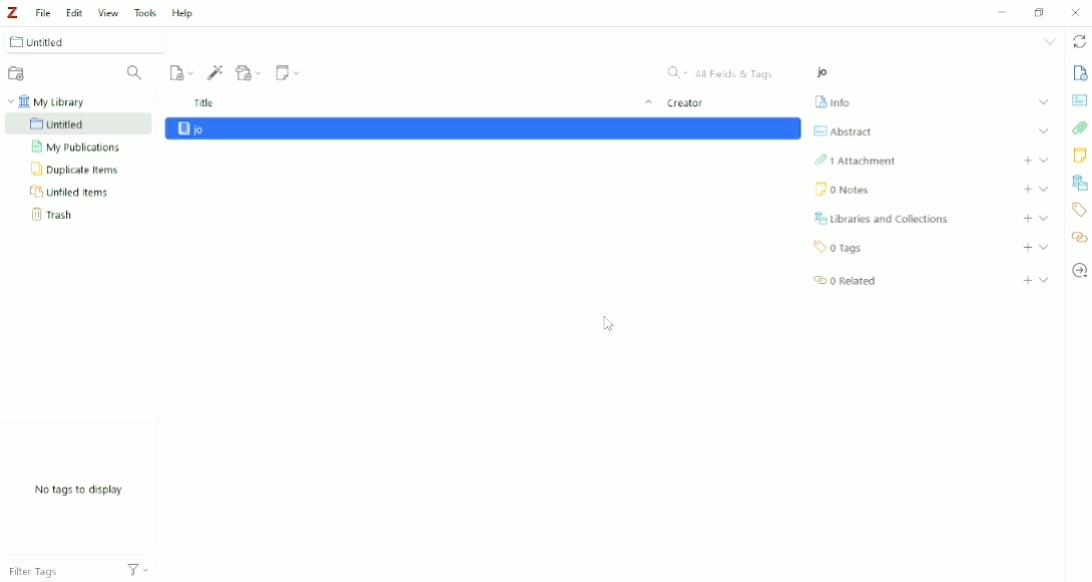  What do you see at coordinates (484, 153) in the screenshot?
I see `PDF` at bounding box center [484, 153].